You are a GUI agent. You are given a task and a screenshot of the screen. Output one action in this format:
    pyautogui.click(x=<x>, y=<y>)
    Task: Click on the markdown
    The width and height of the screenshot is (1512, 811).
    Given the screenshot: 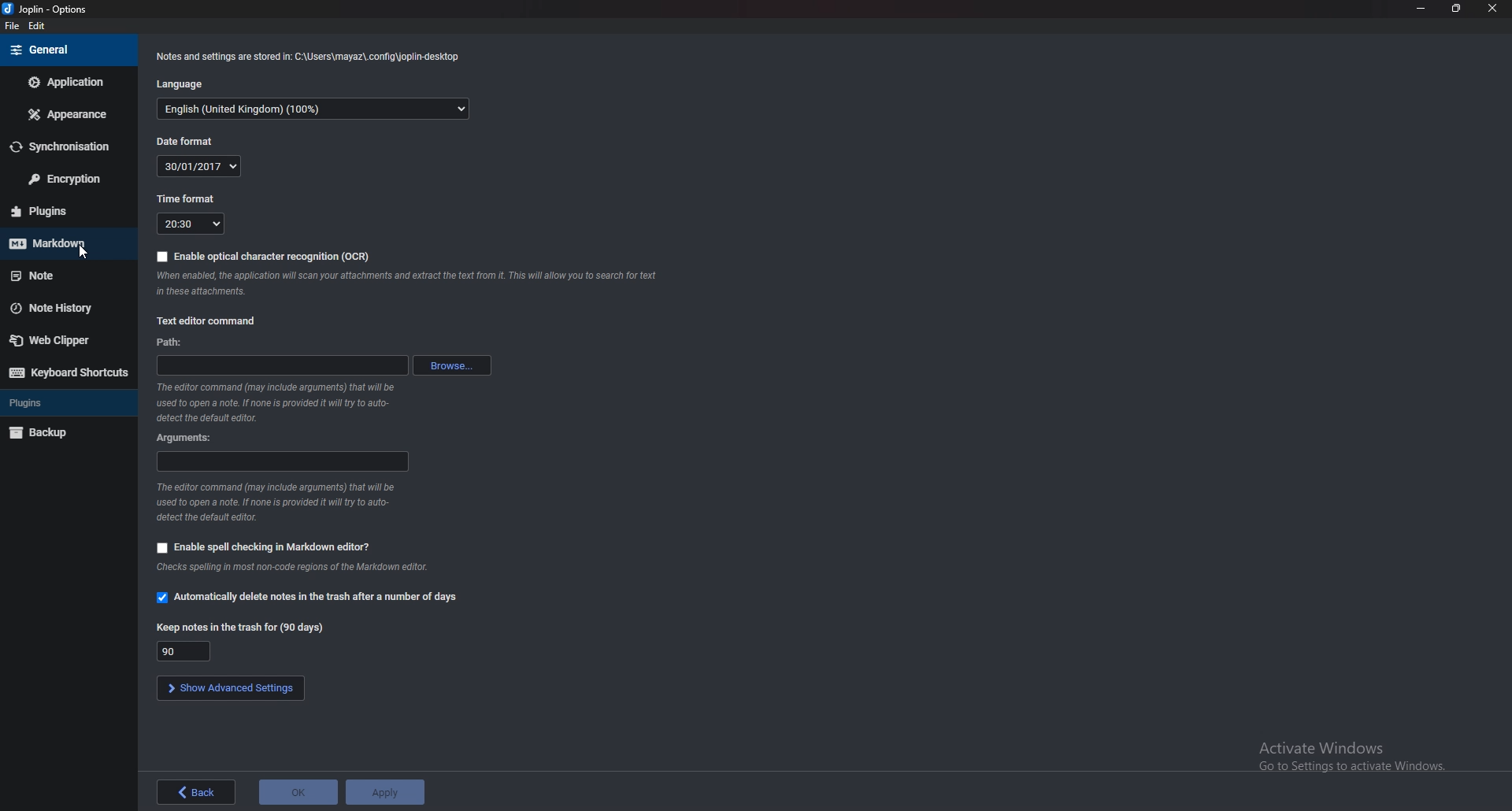 What is the action you would take?
    pyautogui.click(x=69, y=243)
    